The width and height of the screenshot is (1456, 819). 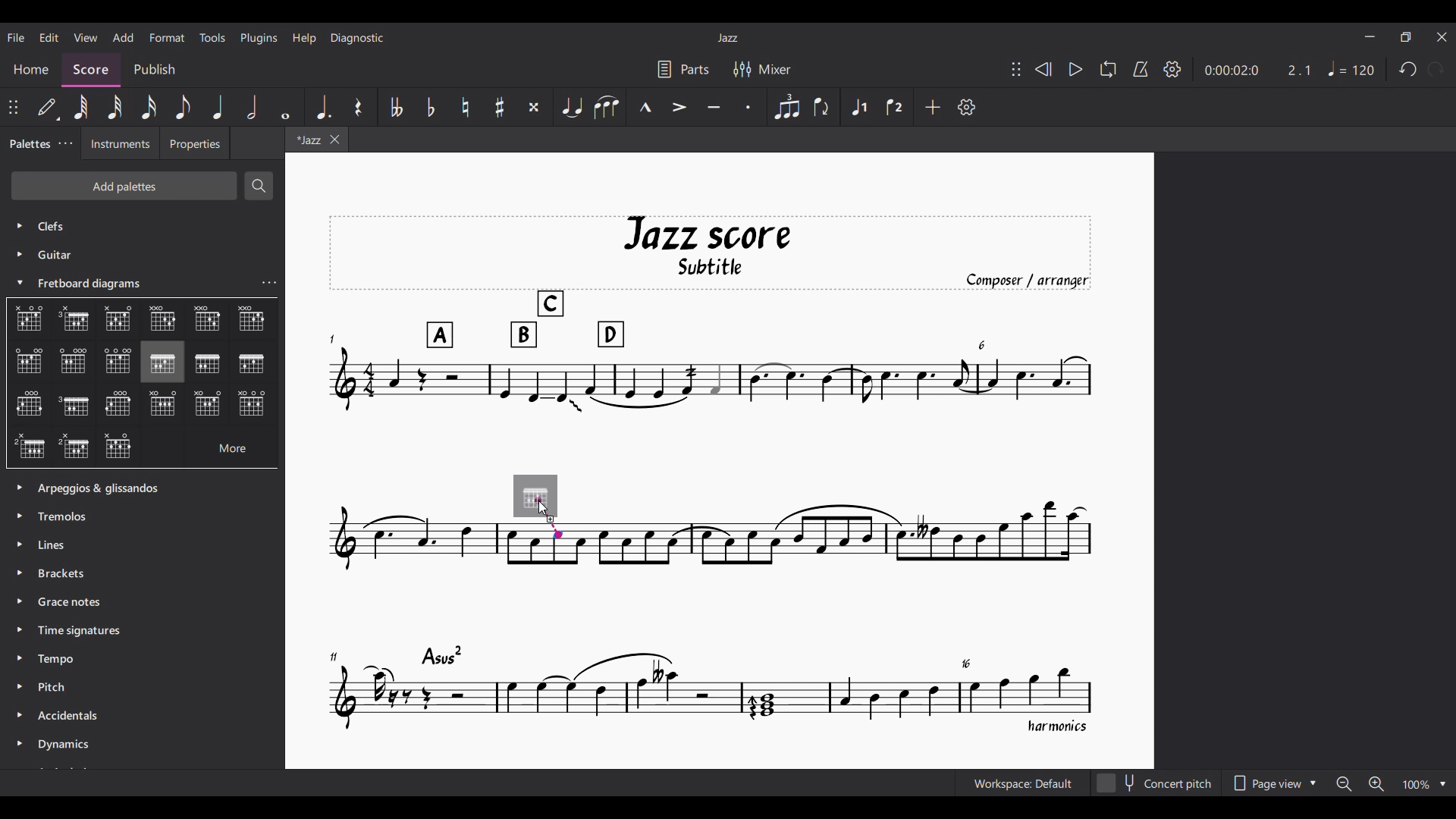 What do you see at coordinates (679, 107) in the screenshot?
I see `Accent` at bounding box center [679, 107].